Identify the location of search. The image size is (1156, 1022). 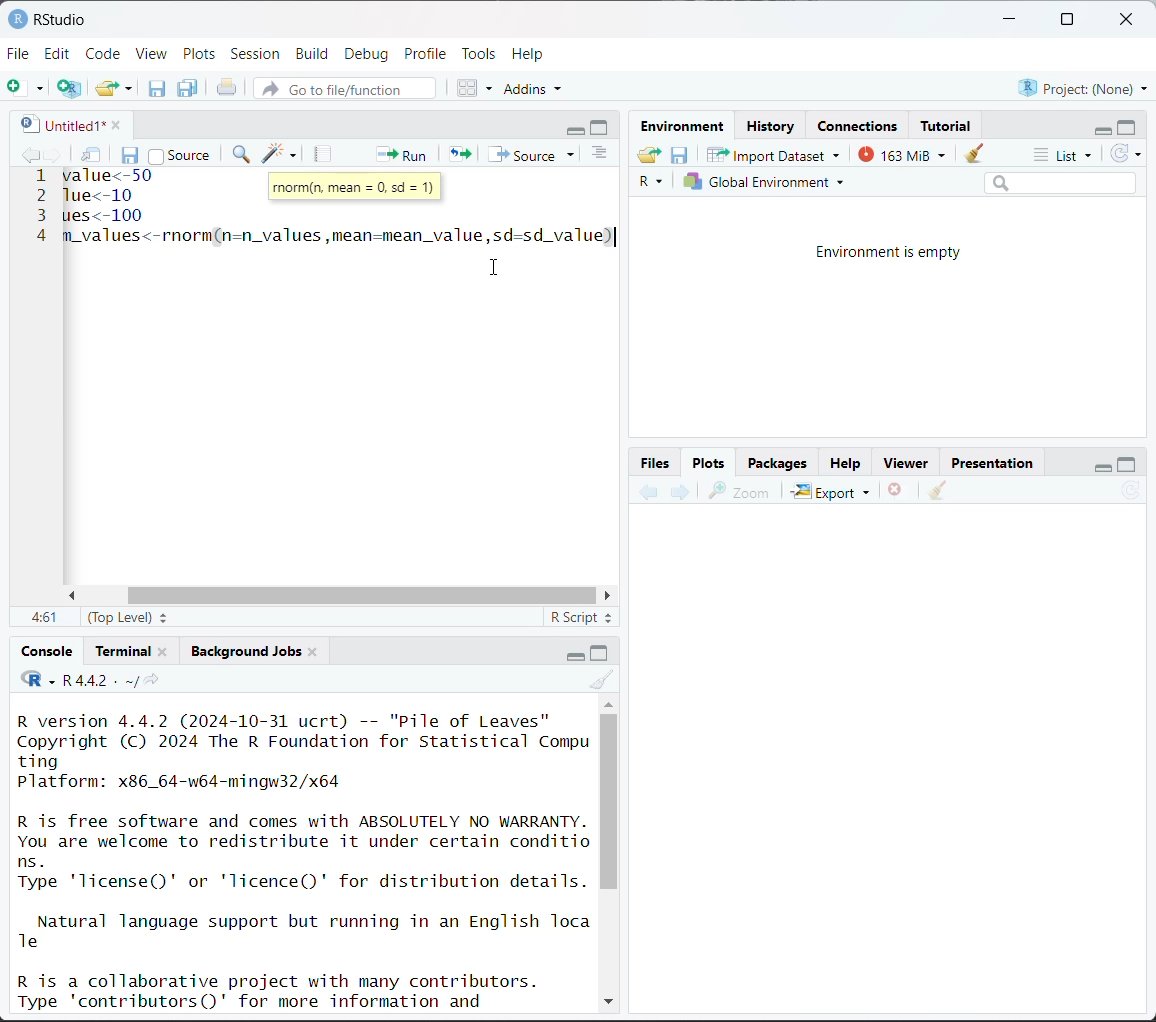
(1060, 182).